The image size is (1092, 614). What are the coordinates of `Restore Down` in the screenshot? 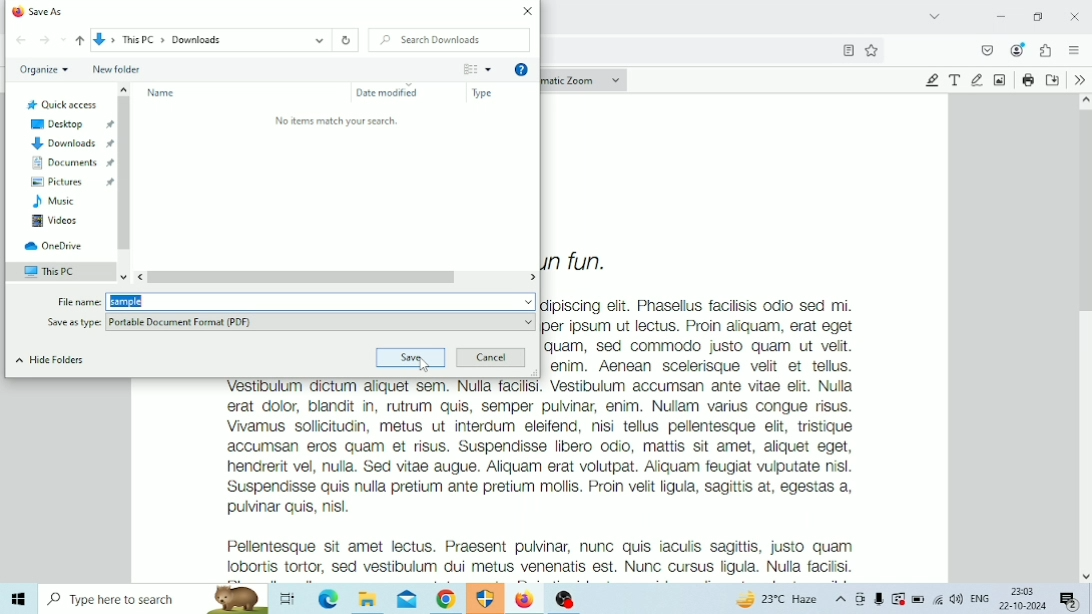 It's located at (1039, 17).